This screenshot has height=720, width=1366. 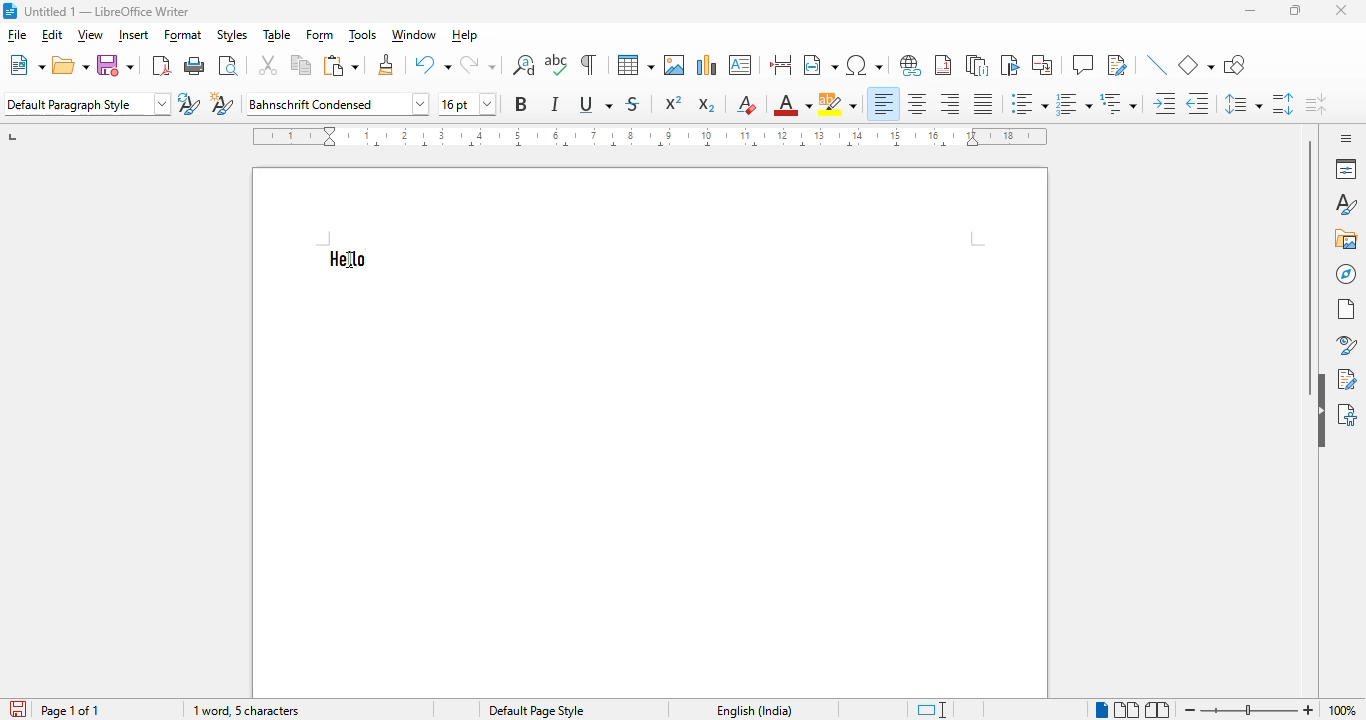 What do you see at coordinates (1196, 64) in the screenshot?
I see `basic shapes` at bounding box center [1196, 64].